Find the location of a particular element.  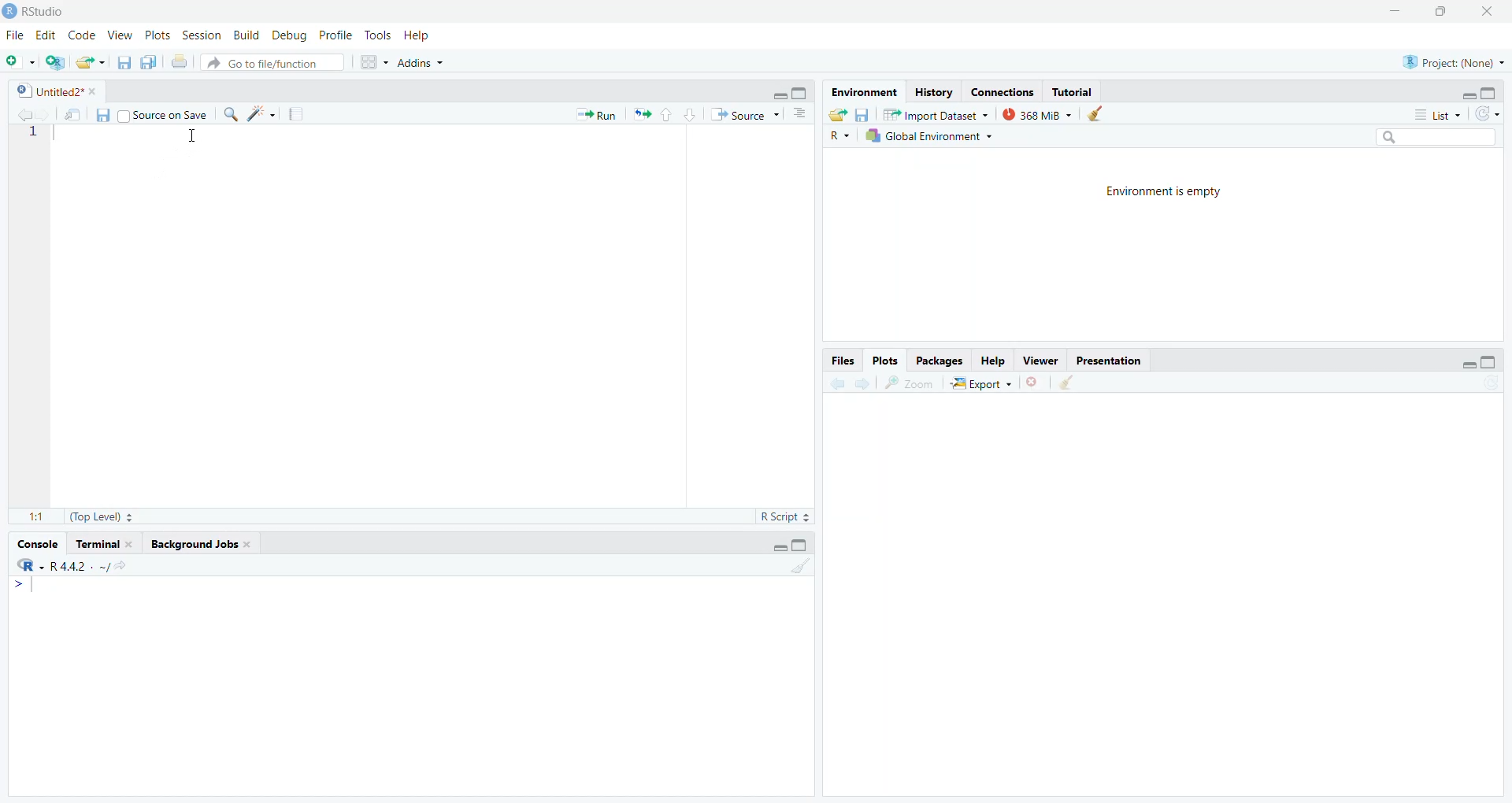

search is located at coordinates (229, 114).